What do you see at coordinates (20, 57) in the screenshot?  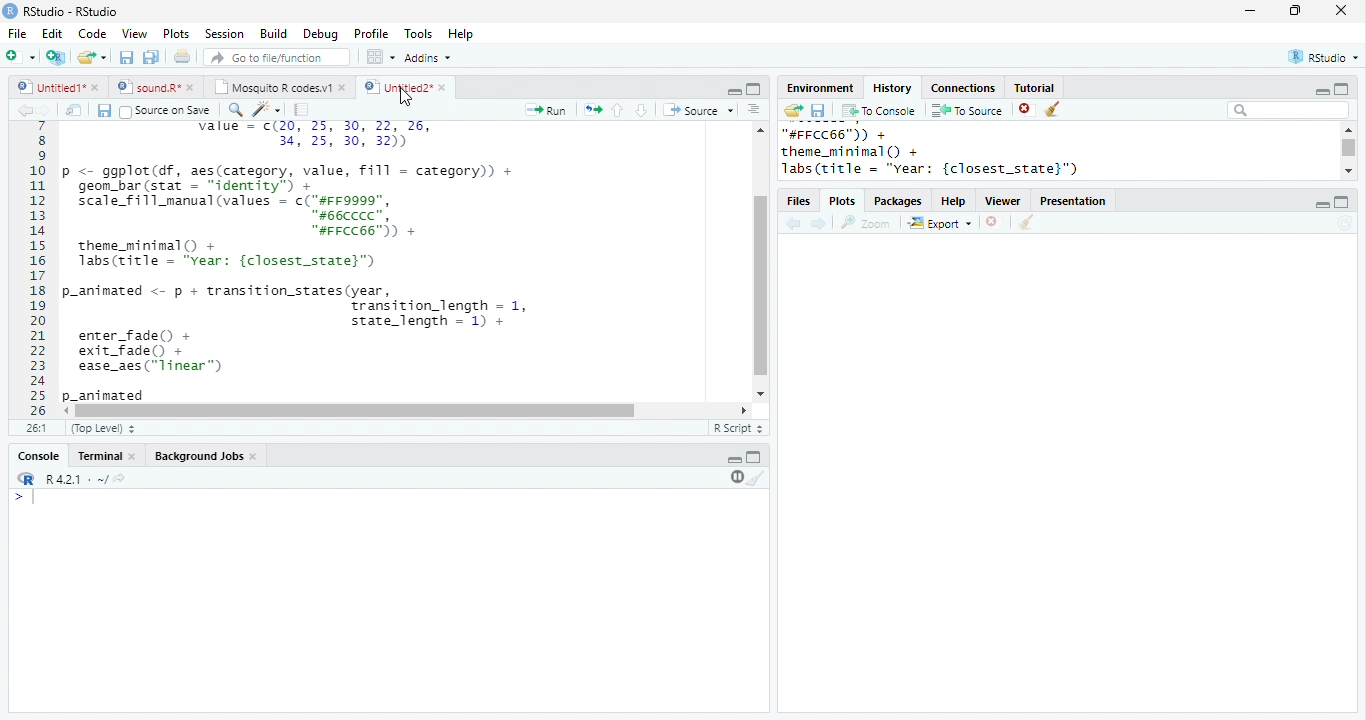 I see `new file` at bounding box center [20, 57].